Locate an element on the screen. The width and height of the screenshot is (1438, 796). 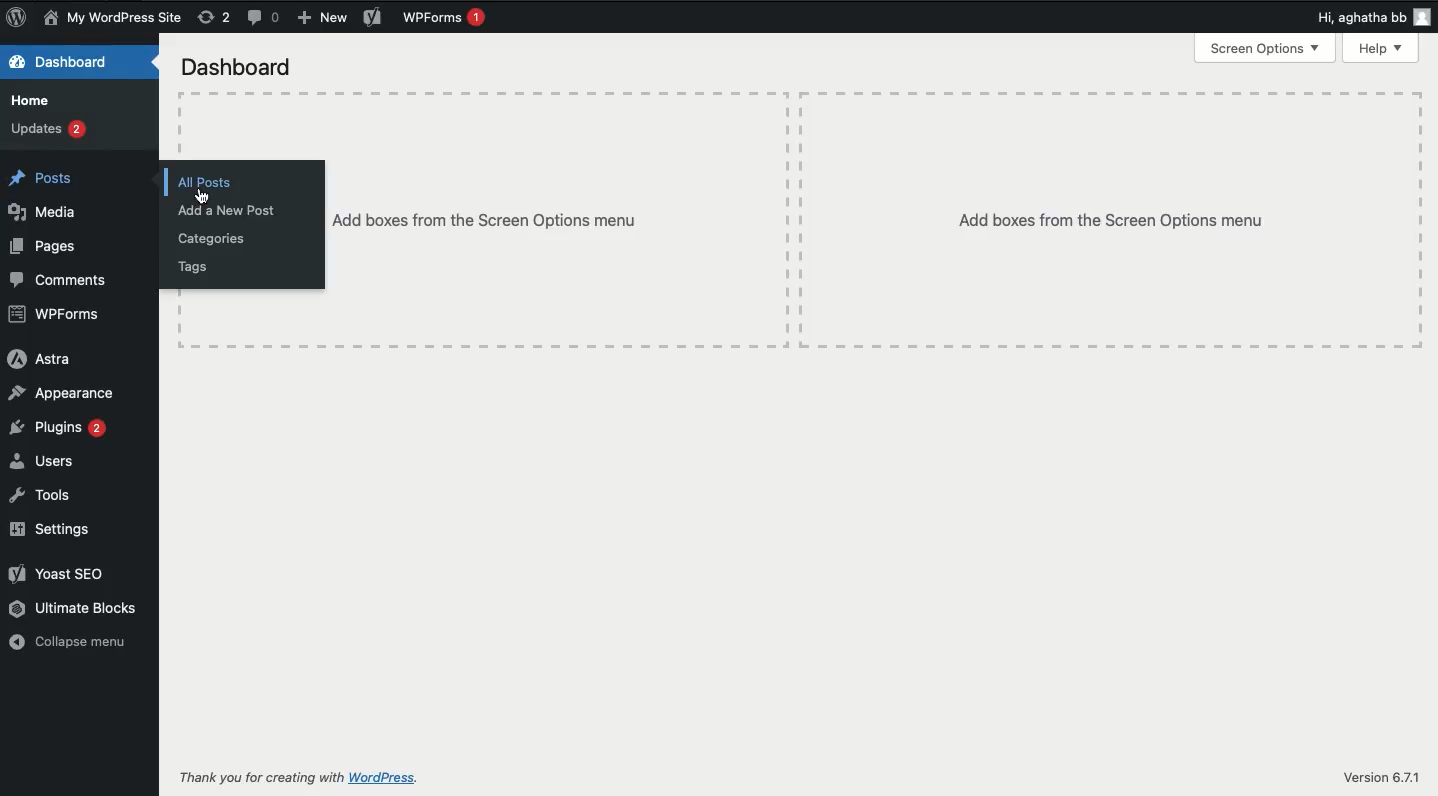
Add new post is located at coordinates (230, 211).